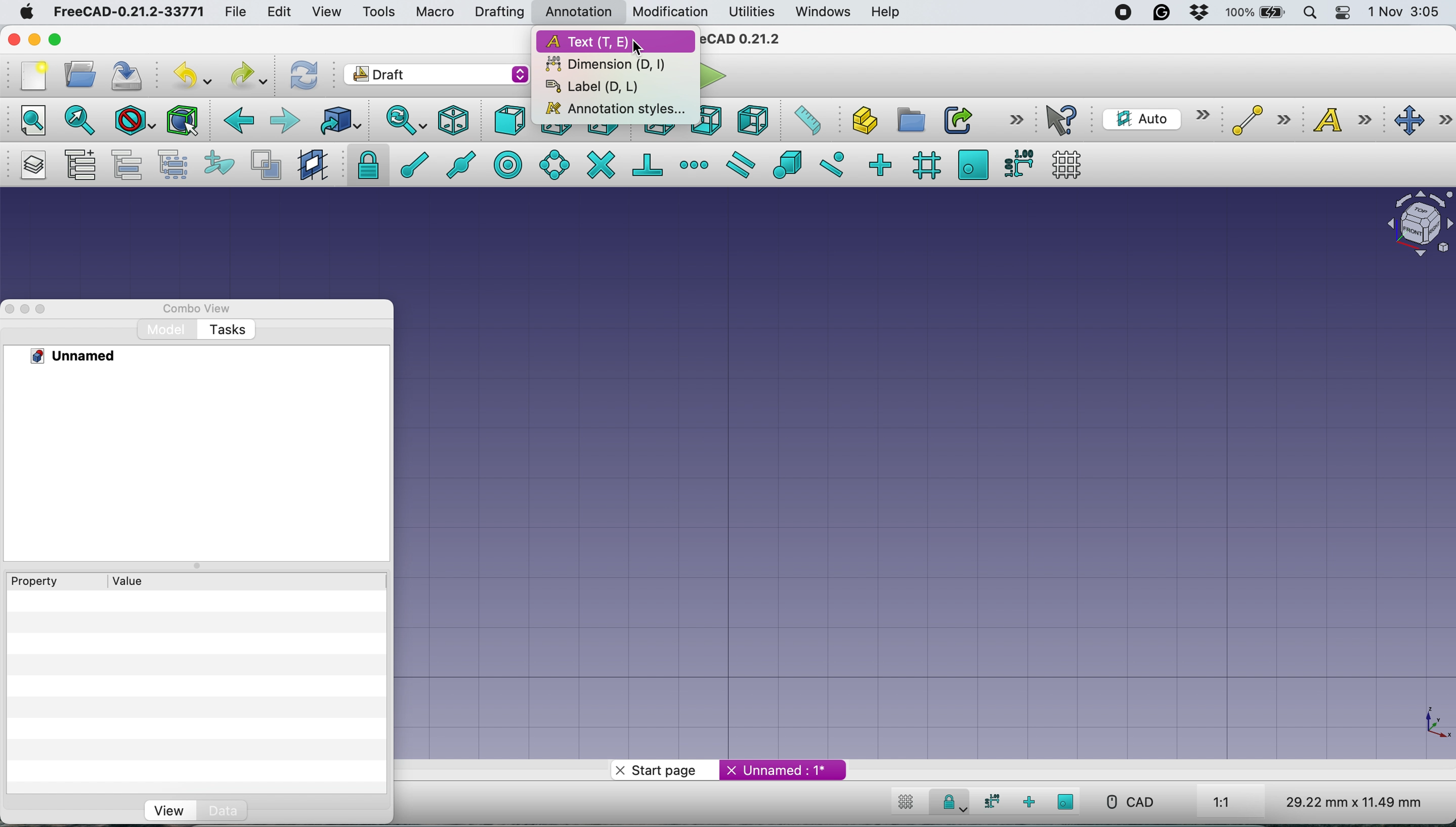 This screenshot has width=1456, height=827. What do you see at coordinates (86, 357) in the screenshot?
I see `unnamed` at bounding box center [86, 357].